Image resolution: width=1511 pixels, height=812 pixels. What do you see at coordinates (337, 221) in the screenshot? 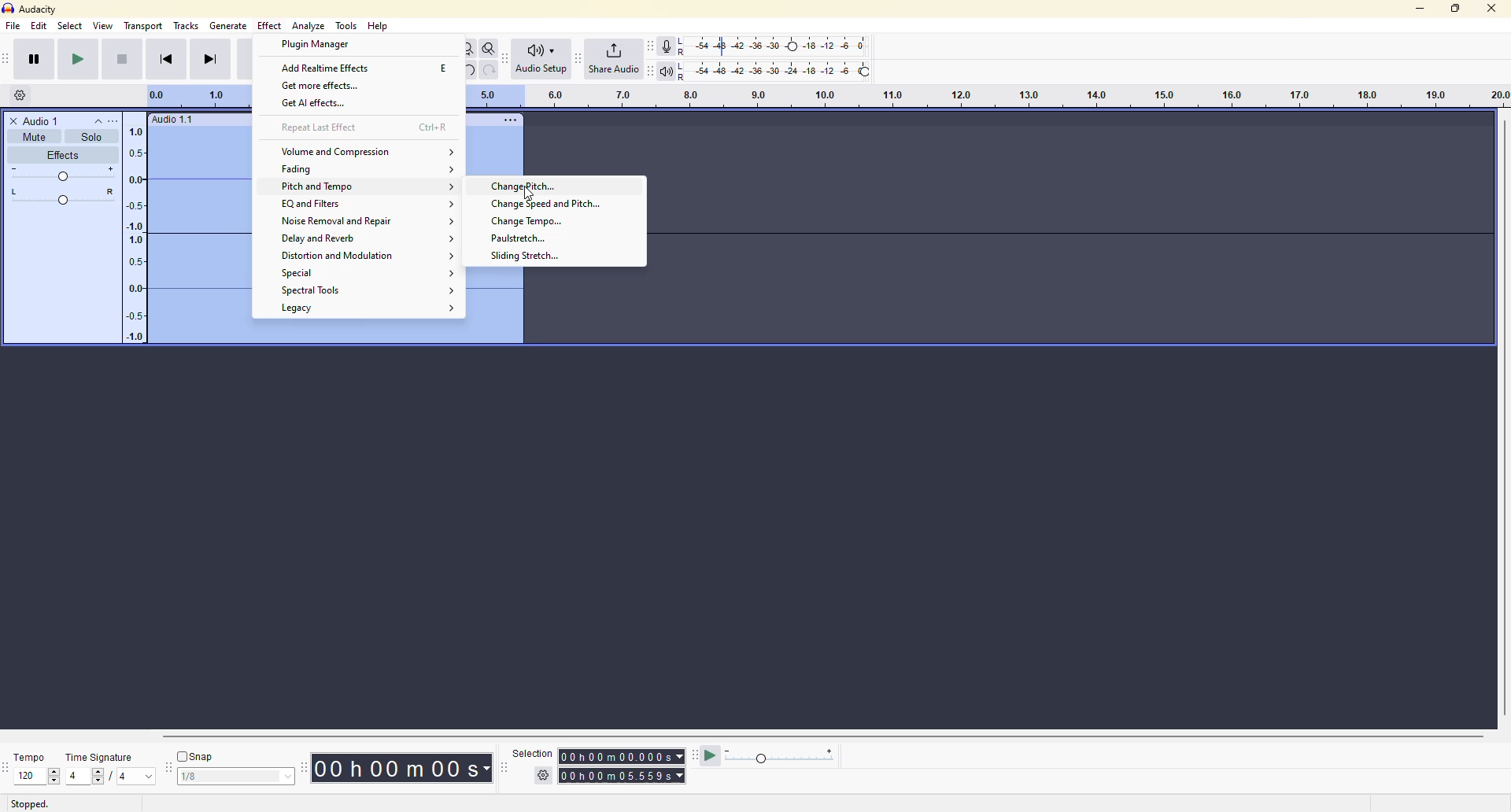
I see `noise removal and repair` at bounding box center [337, 221].